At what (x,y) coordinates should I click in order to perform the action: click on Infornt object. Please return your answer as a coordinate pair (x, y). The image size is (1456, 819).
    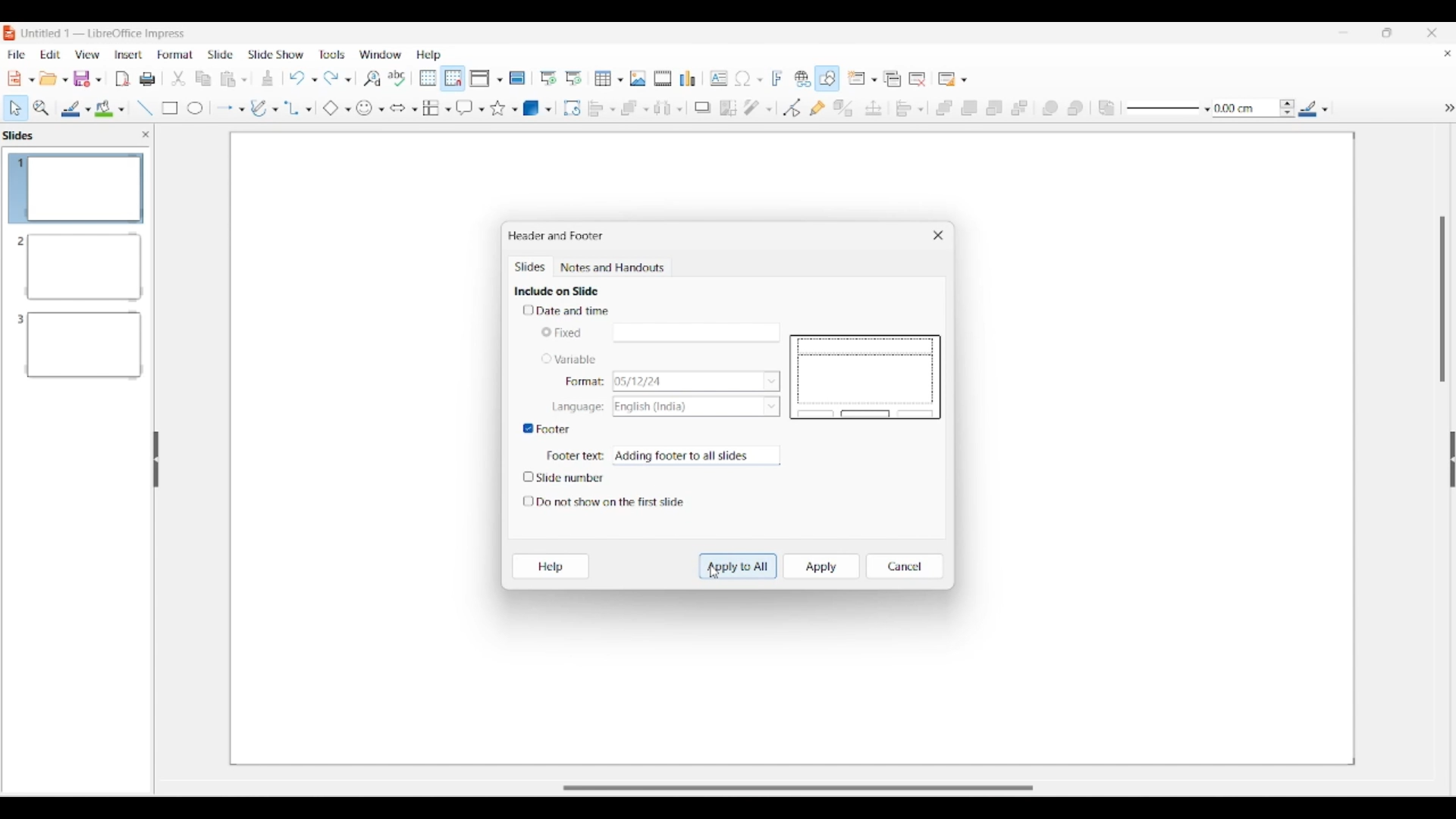
    Looking at the image, I should click on (1050, 108).